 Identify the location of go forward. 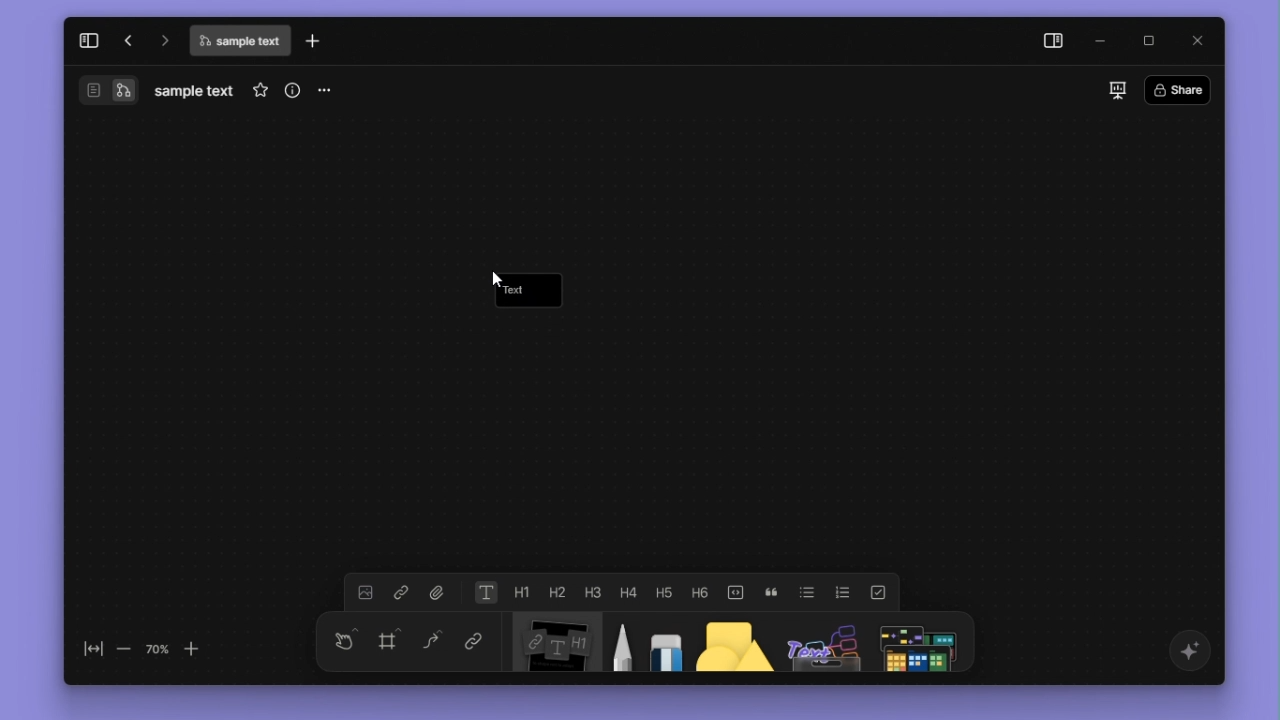
(162, 39).